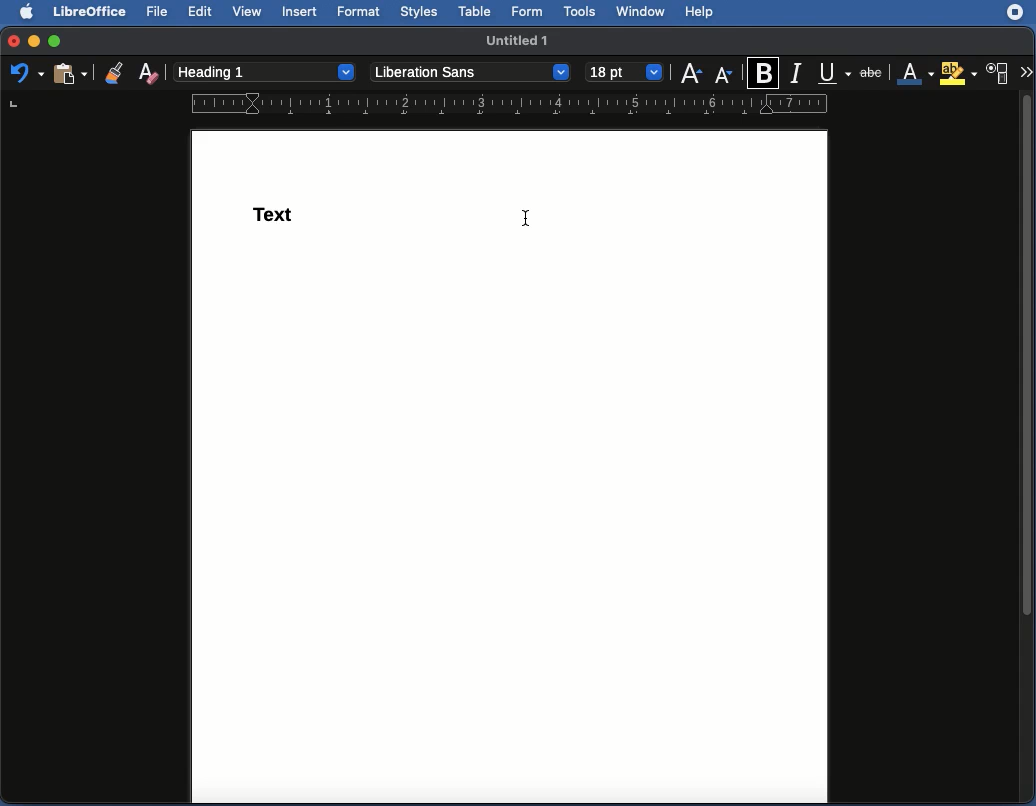 The image size is (1036, 806). What do you see at coordinates (530, 12) in the screenshot?
I see `Form` at bounding box center [530, 12].